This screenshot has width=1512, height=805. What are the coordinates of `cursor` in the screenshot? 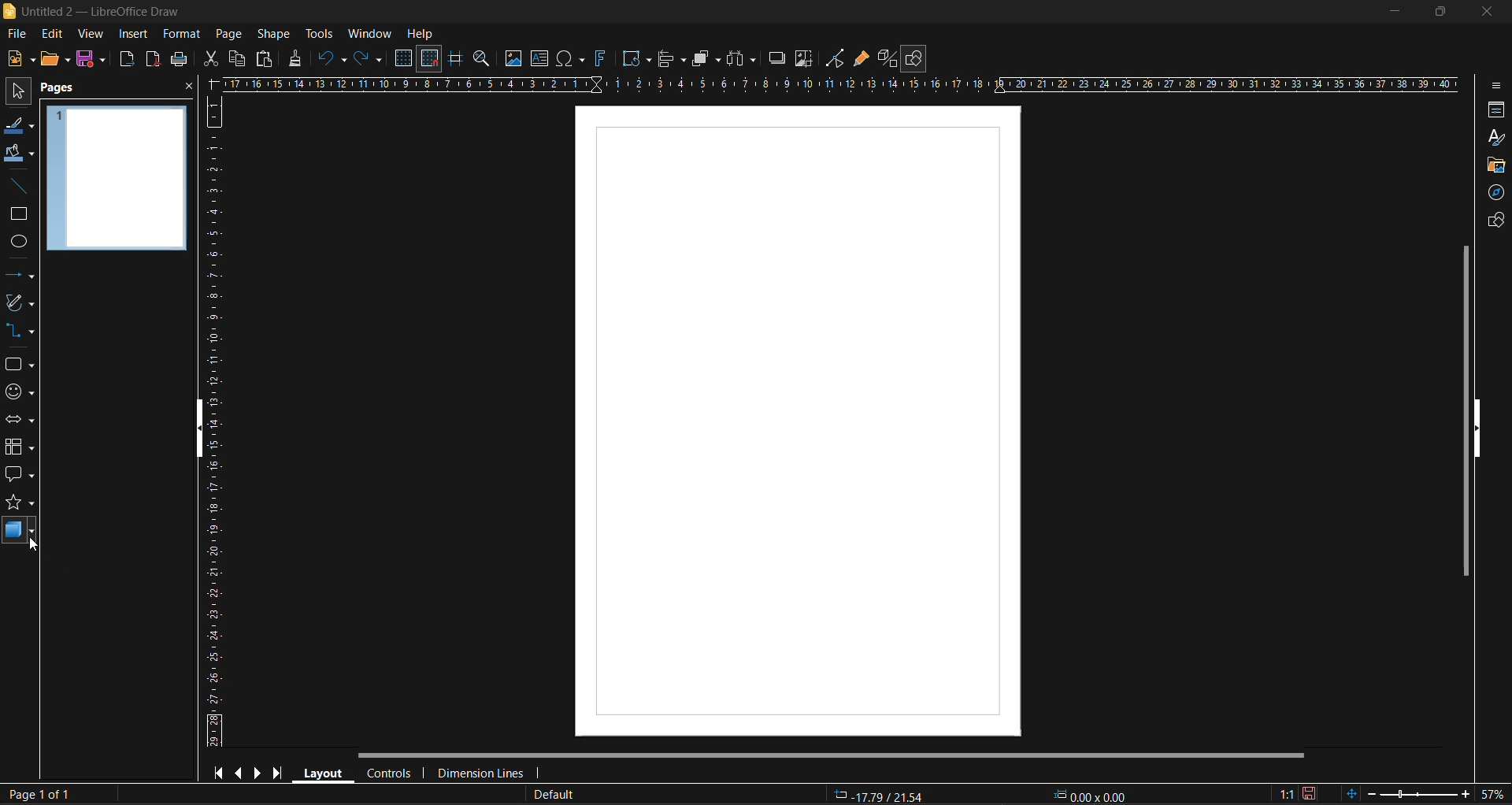 It's located at (33, 548).